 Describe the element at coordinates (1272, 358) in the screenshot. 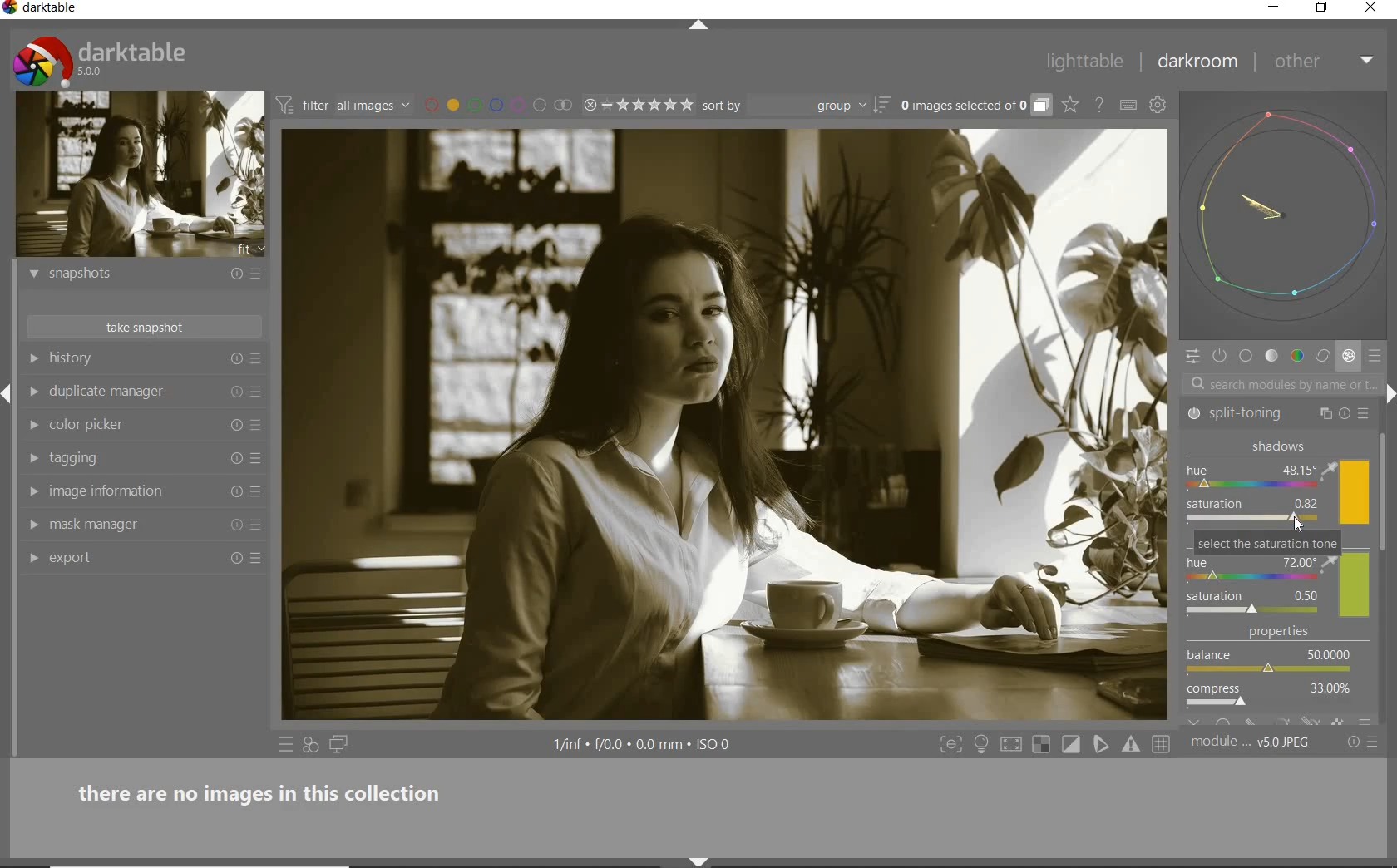

I see `tone` at that location.